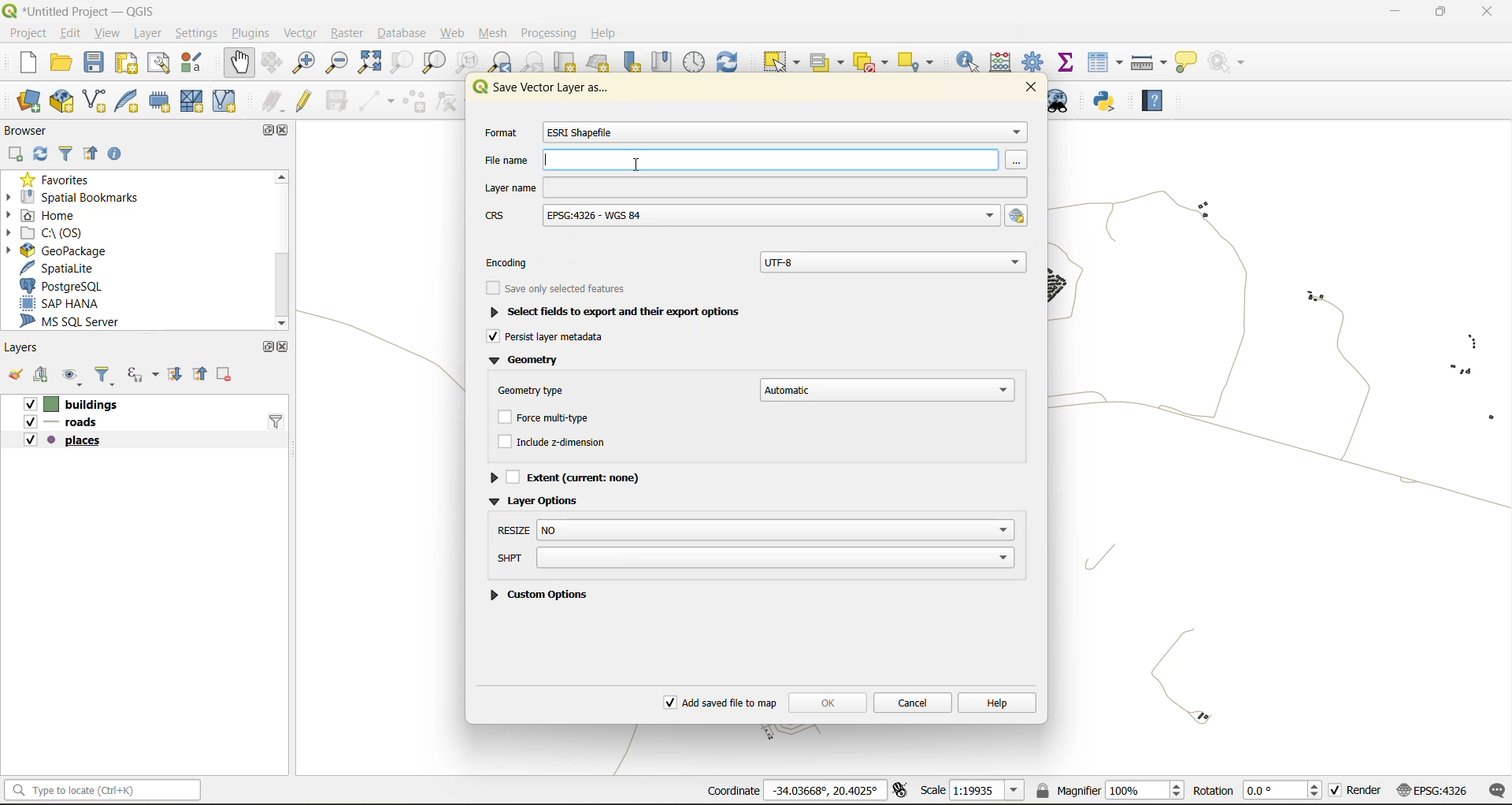 The height and width of the screenshot is (805, 1512). Describe the element at coordinates (608, 33) in the screenshot. I see `help` at that location.